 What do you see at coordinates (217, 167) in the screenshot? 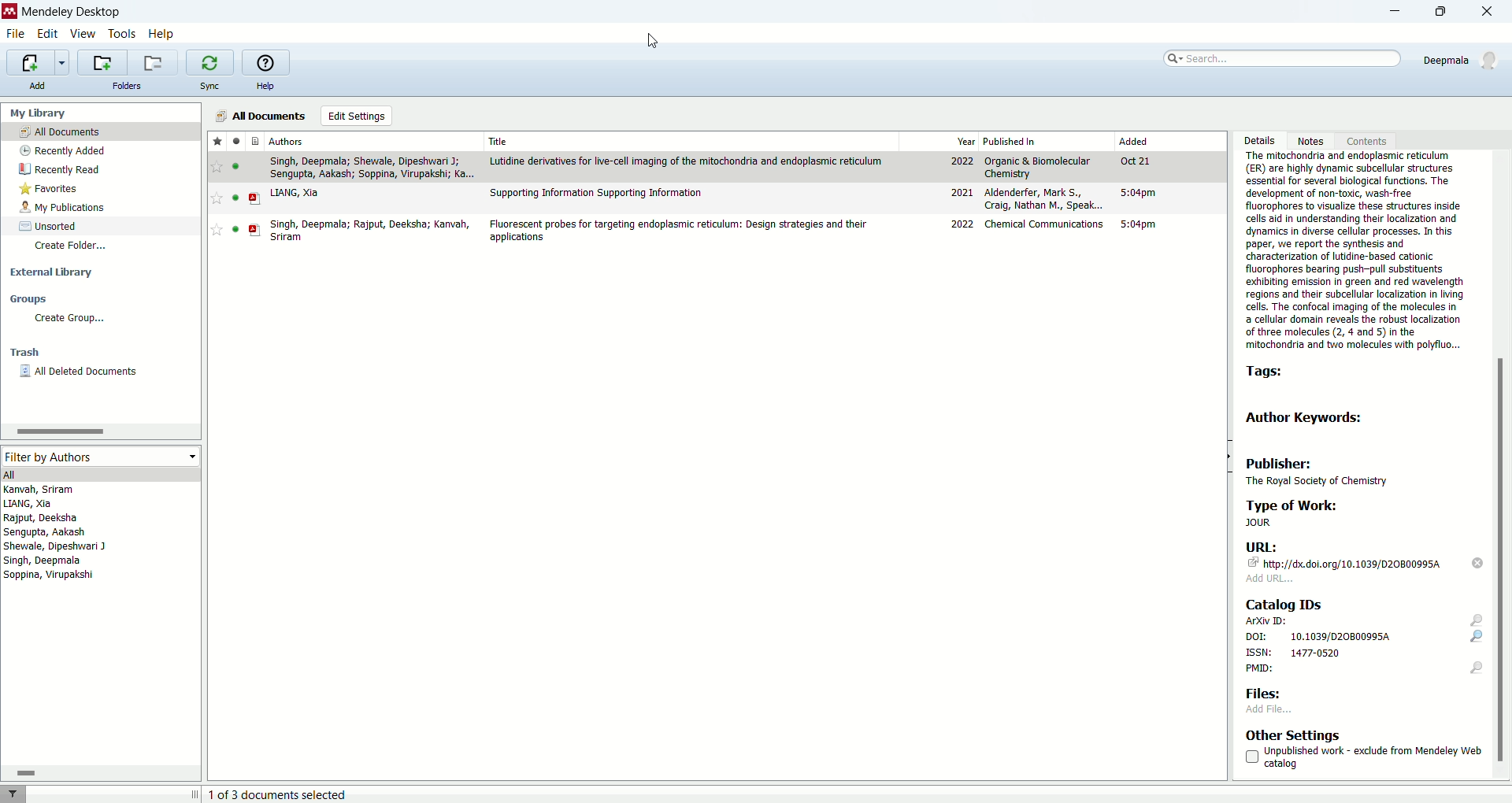
I see `favorite` at bounding box center [217, 167].